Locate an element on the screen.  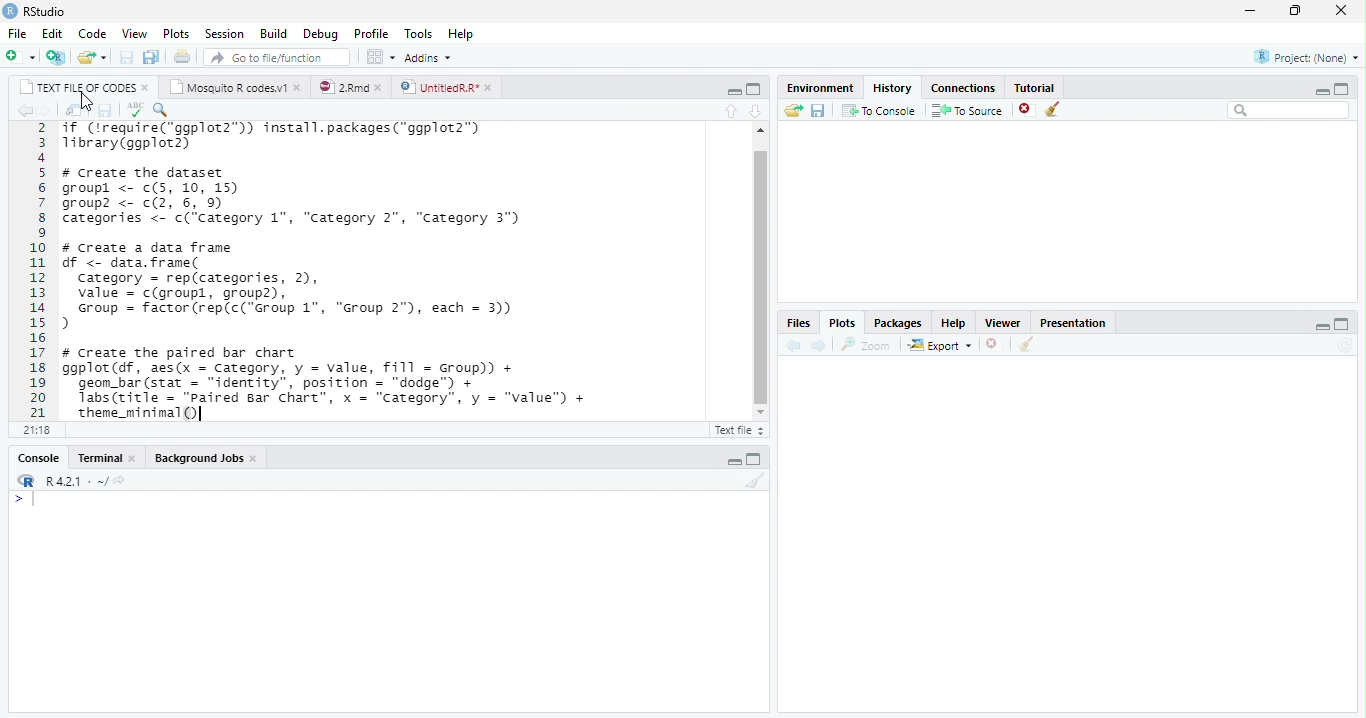
save history  is located at coordinates (817, 110).